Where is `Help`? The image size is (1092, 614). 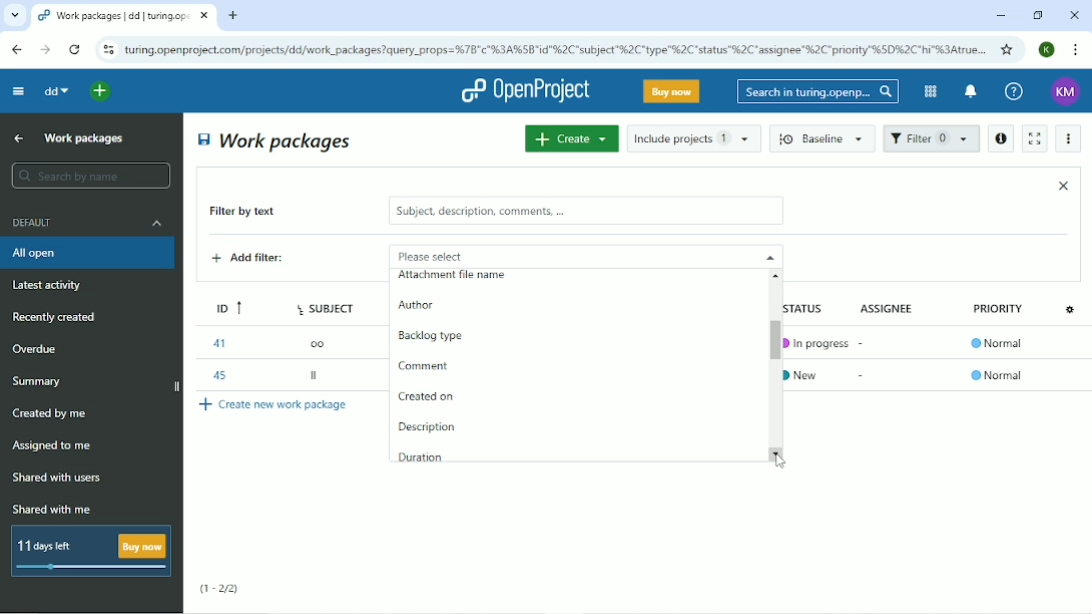 Help is located at coordinates (1014, 92).